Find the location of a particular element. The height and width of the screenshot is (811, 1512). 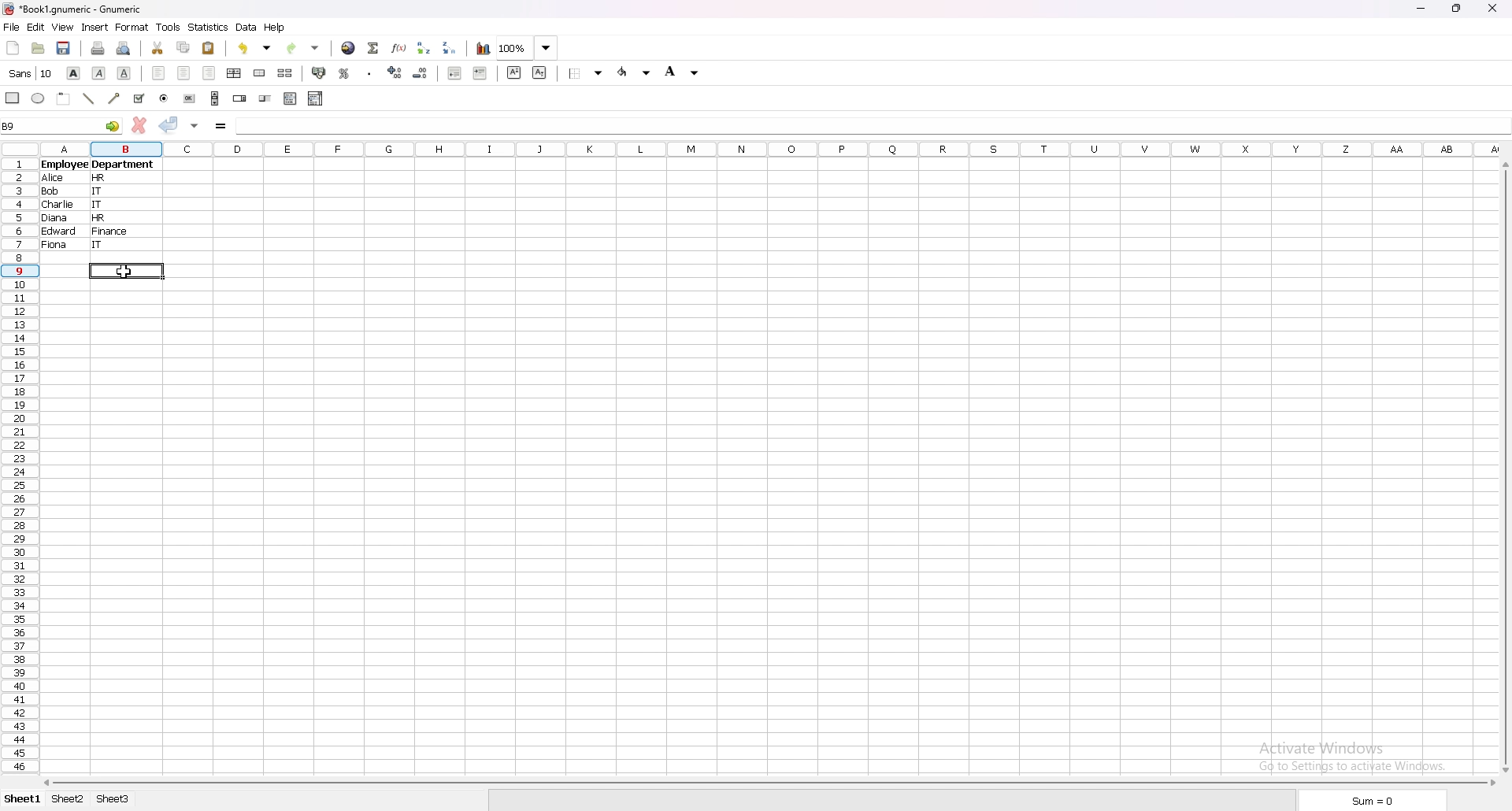

cut is located at coordinates (157, 47).